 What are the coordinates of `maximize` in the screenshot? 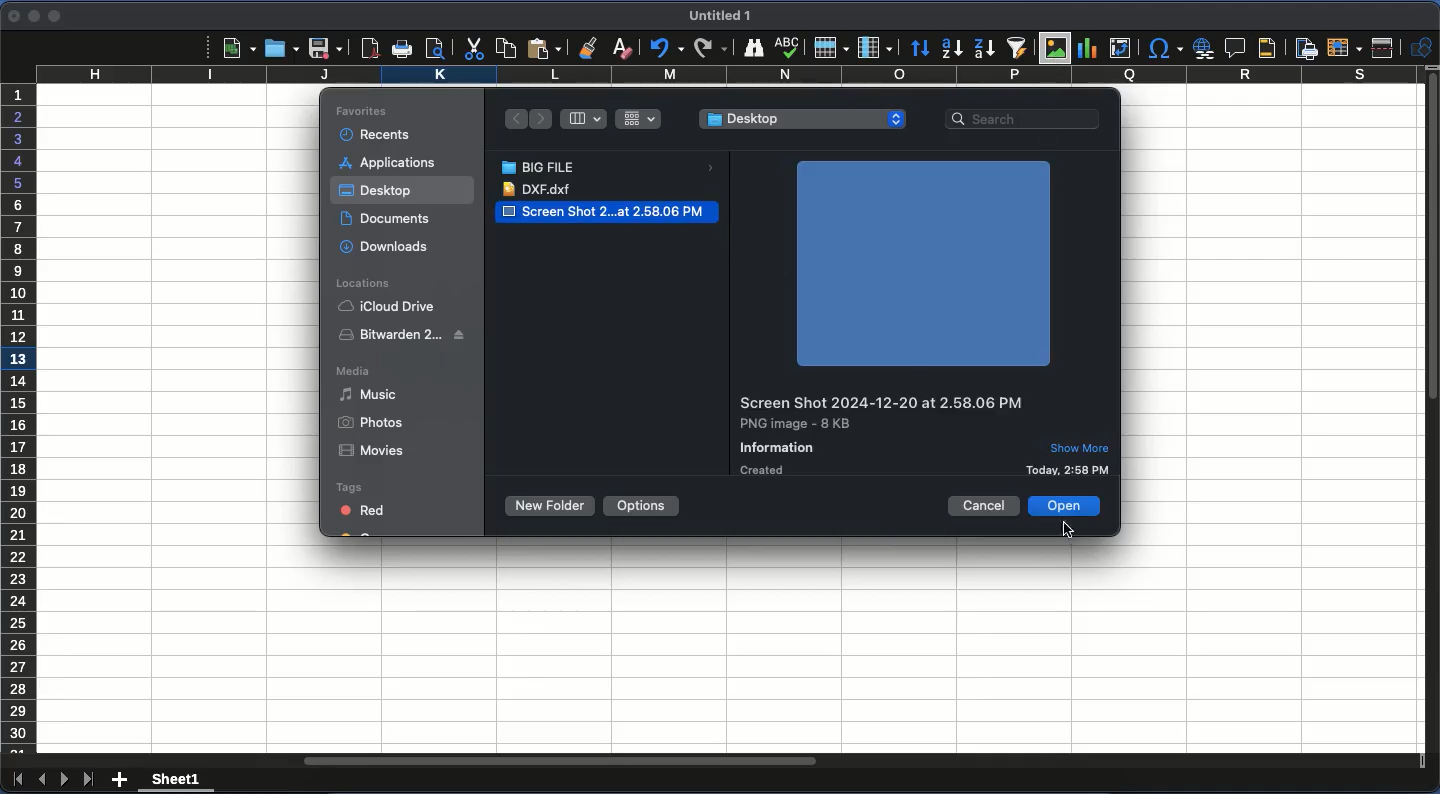 It's located at (52, 17).